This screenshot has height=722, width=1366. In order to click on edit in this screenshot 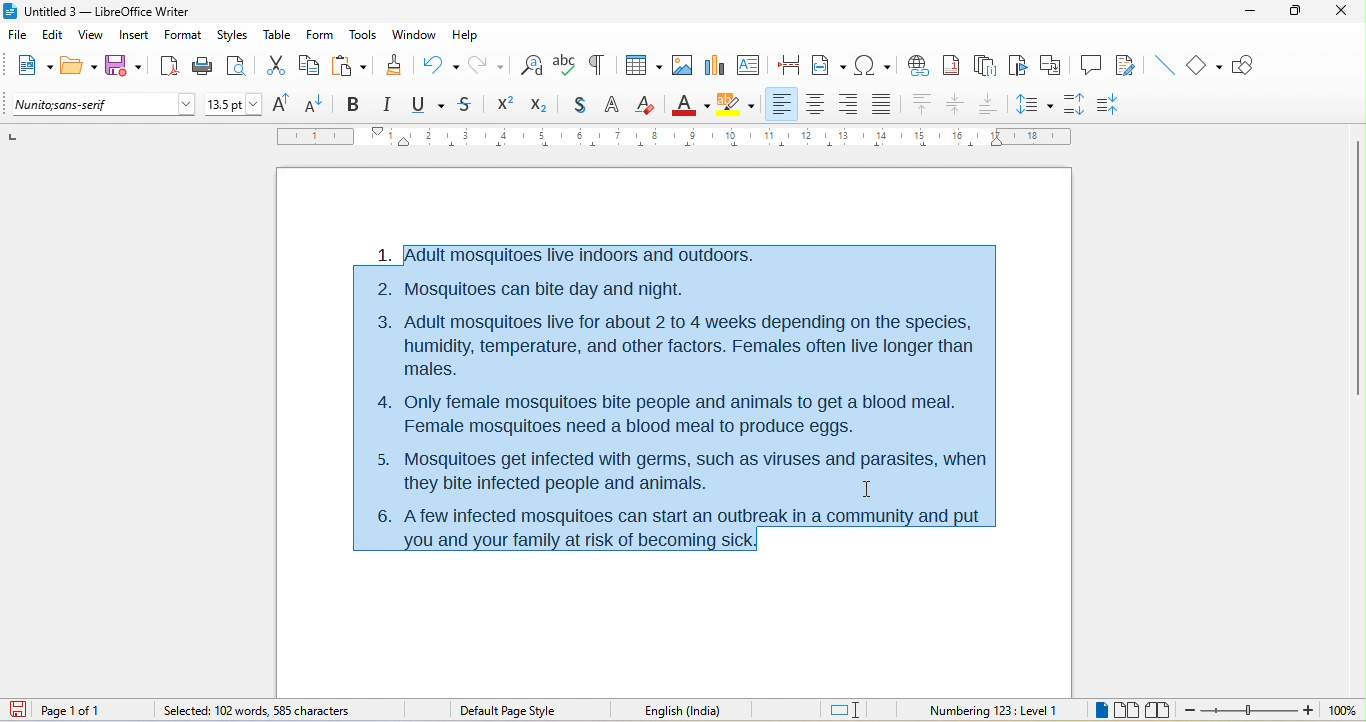, I will do `click(53, 36)`.